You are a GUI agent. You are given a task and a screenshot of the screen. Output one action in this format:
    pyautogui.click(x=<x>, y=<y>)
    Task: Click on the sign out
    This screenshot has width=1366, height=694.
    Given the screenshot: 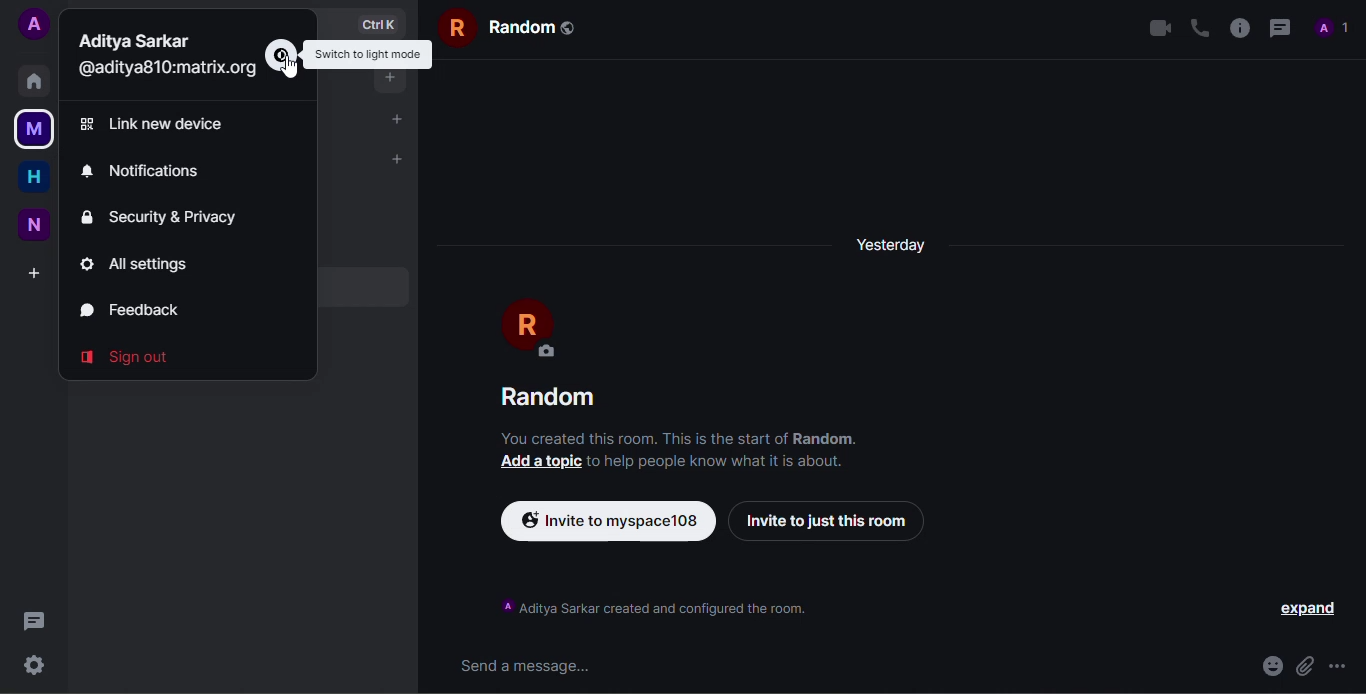 What is the action you would take?
    pyautogui.click(x=127, y=353)
    